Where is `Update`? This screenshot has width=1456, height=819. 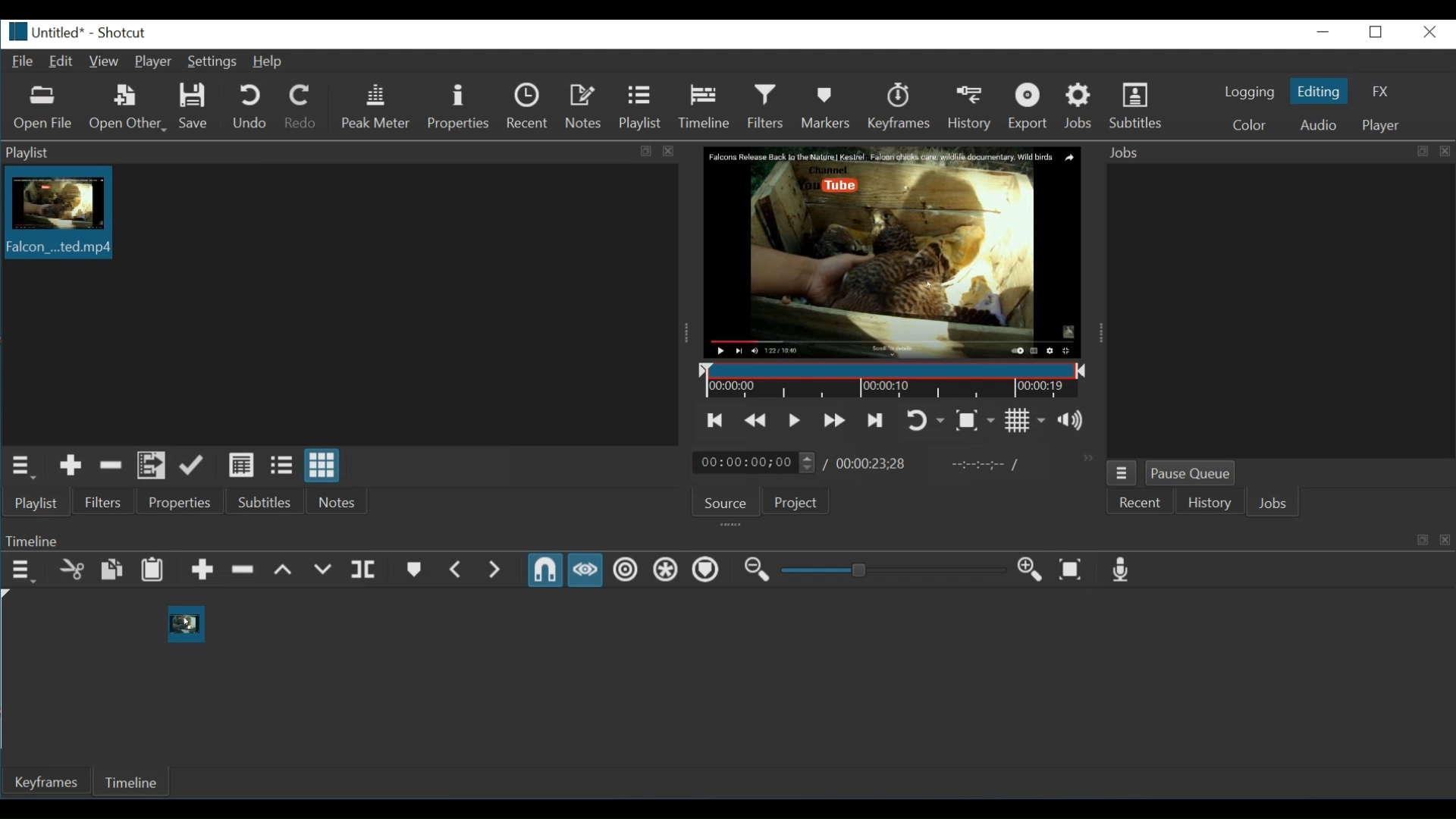
Update is located at coordinates (193, 466).